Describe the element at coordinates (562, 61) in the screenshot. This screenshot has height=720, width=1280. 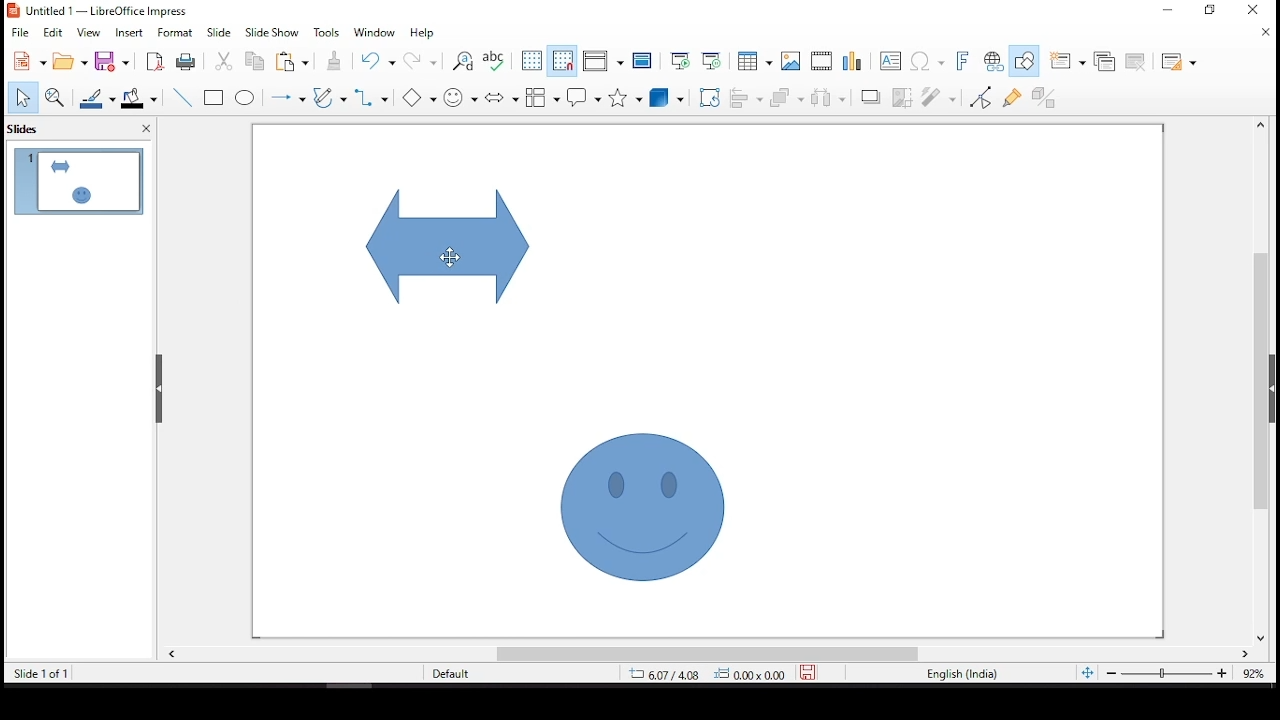
I see `snap to grid` at that location.